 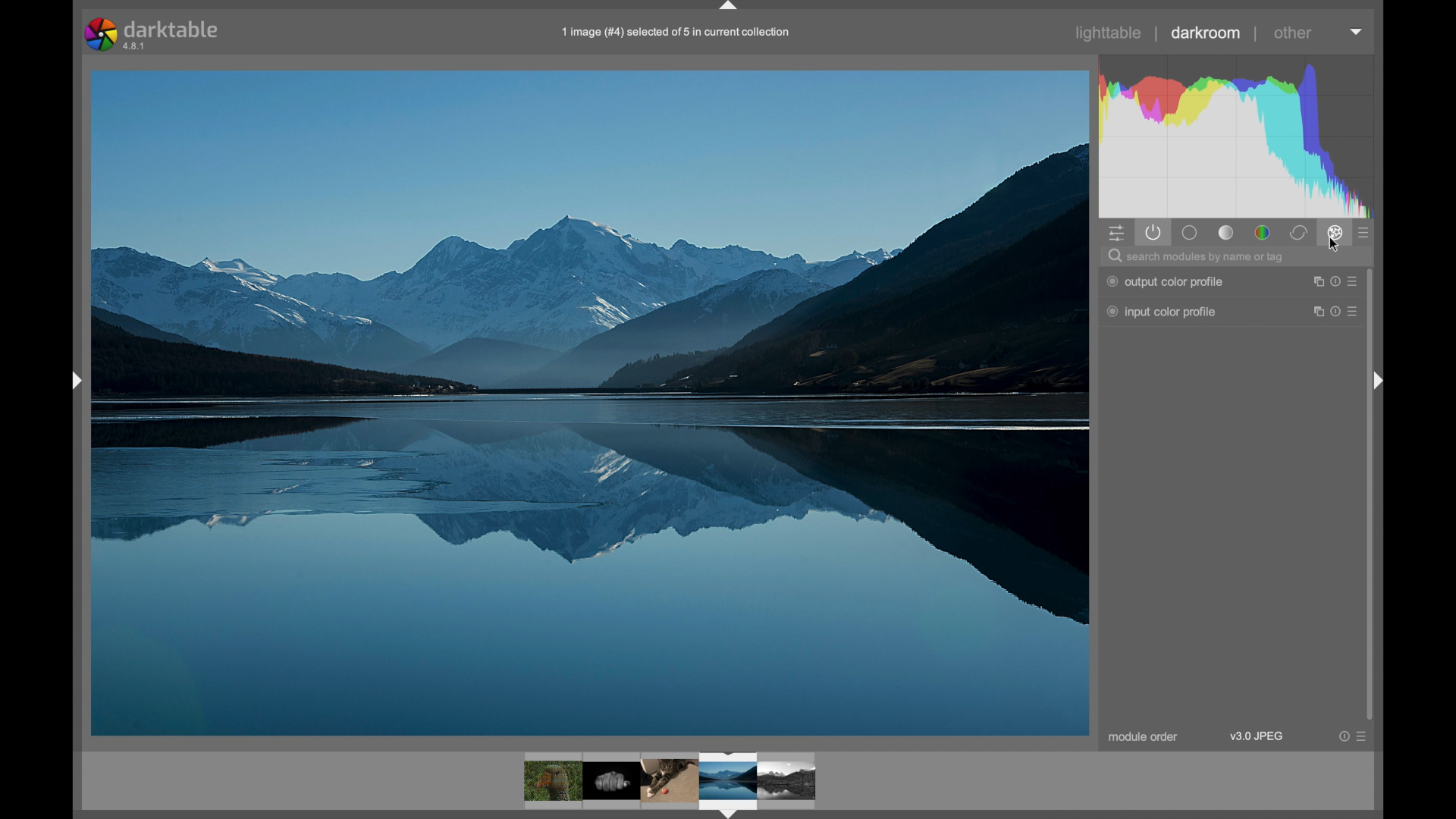 I want to click on Scrollbar, so click(x=1372, y=561).